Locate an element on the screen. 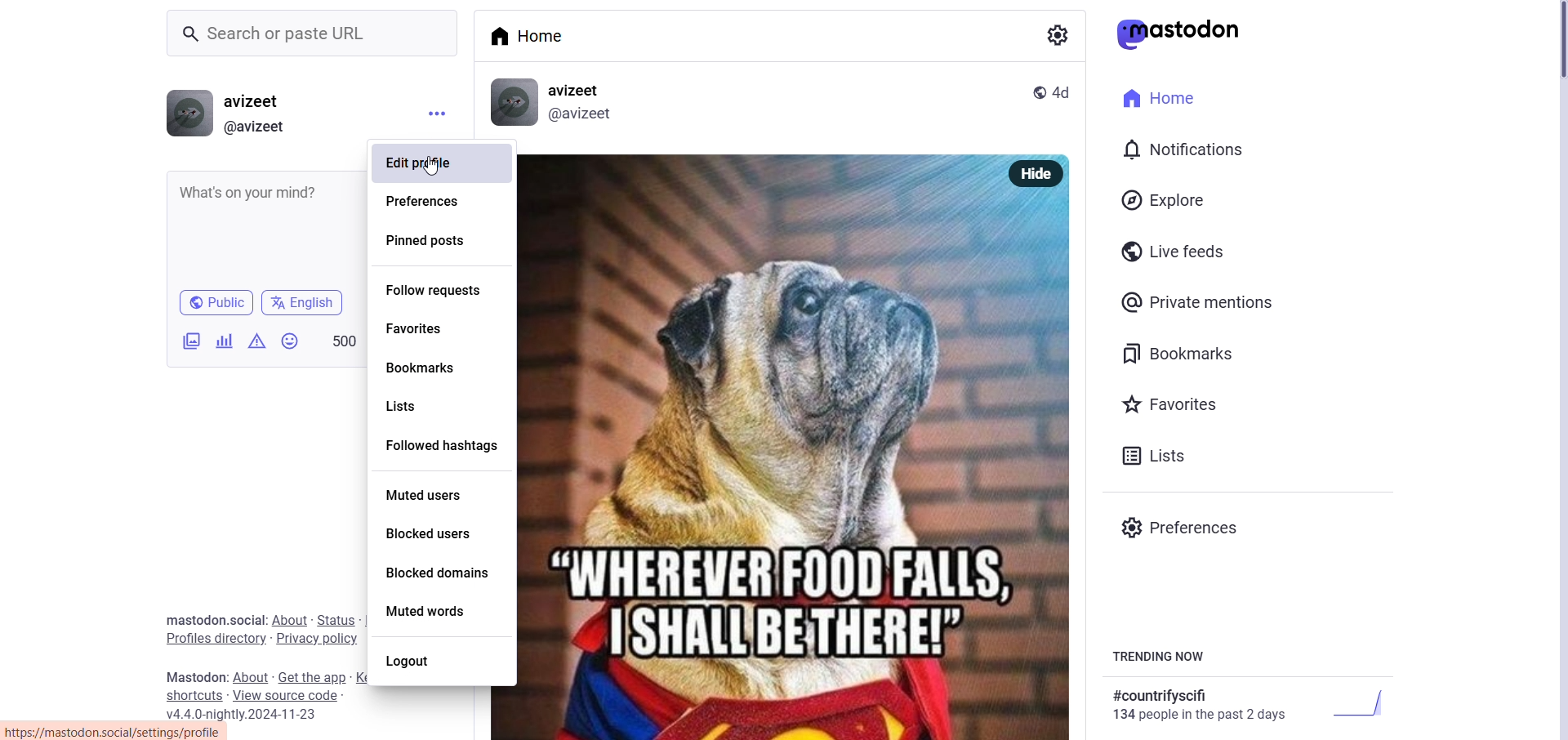 This screenshot has height=740, width=1568. favourites is located at coordinates (1170, 401).